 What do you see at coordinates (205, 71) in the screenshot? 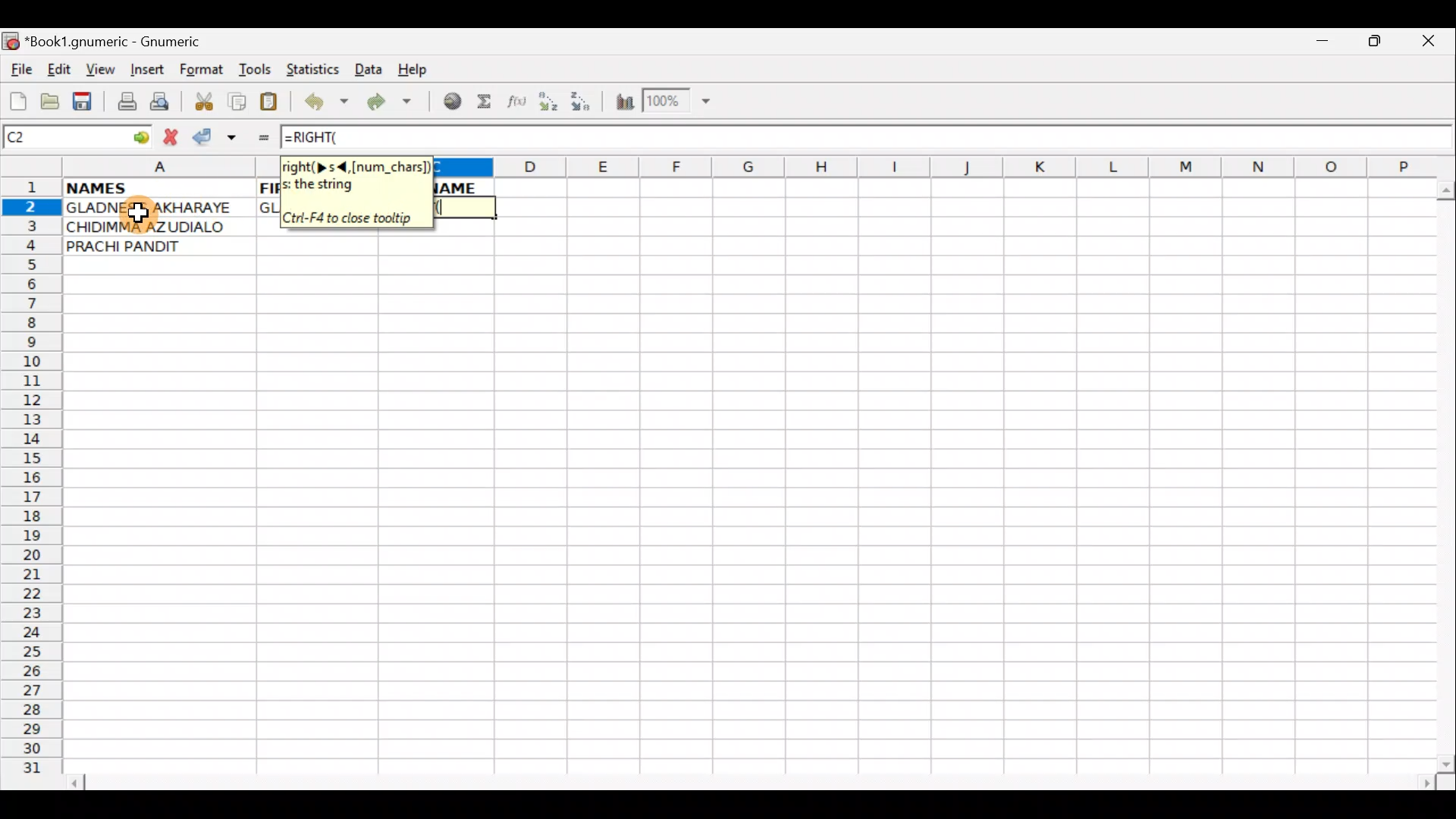
I see `Format` at bounding box center [205, 71].